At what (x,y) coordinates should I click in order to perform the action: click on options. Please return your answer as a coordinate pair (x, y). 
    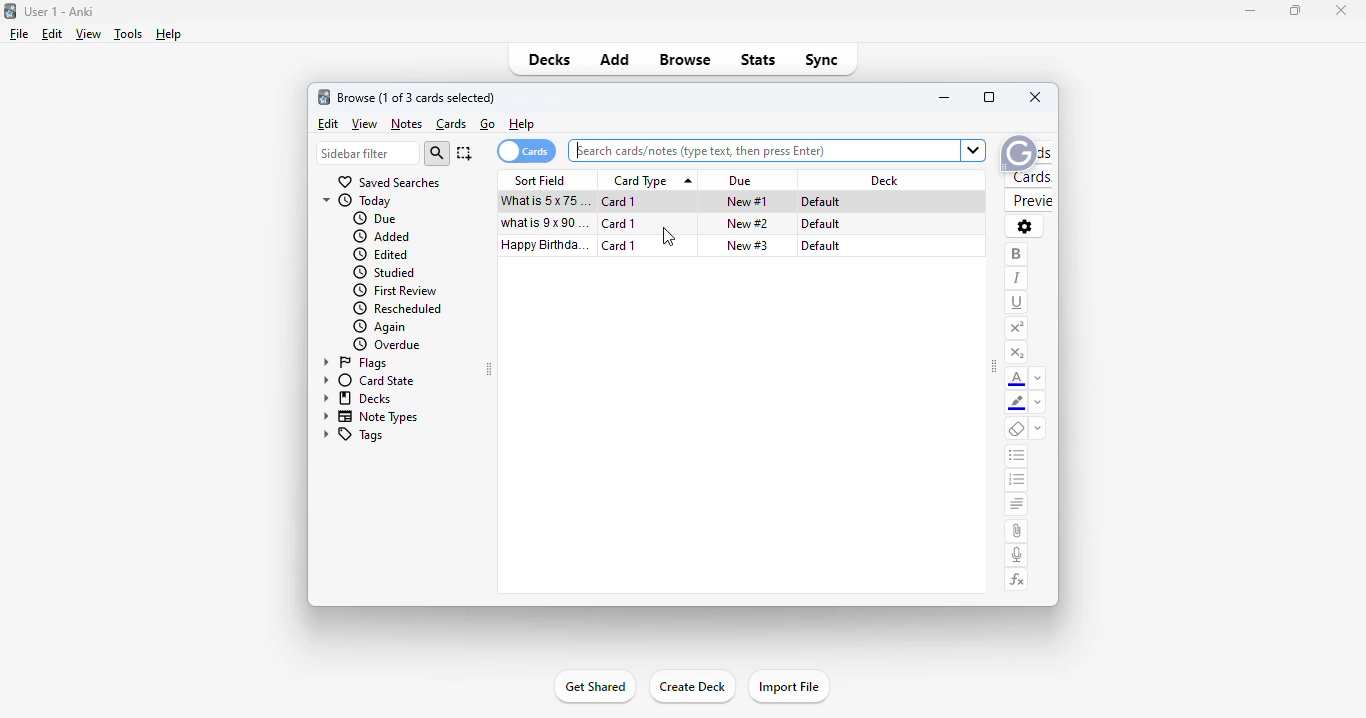
    Looking at the image, I should click on (1025, 227).